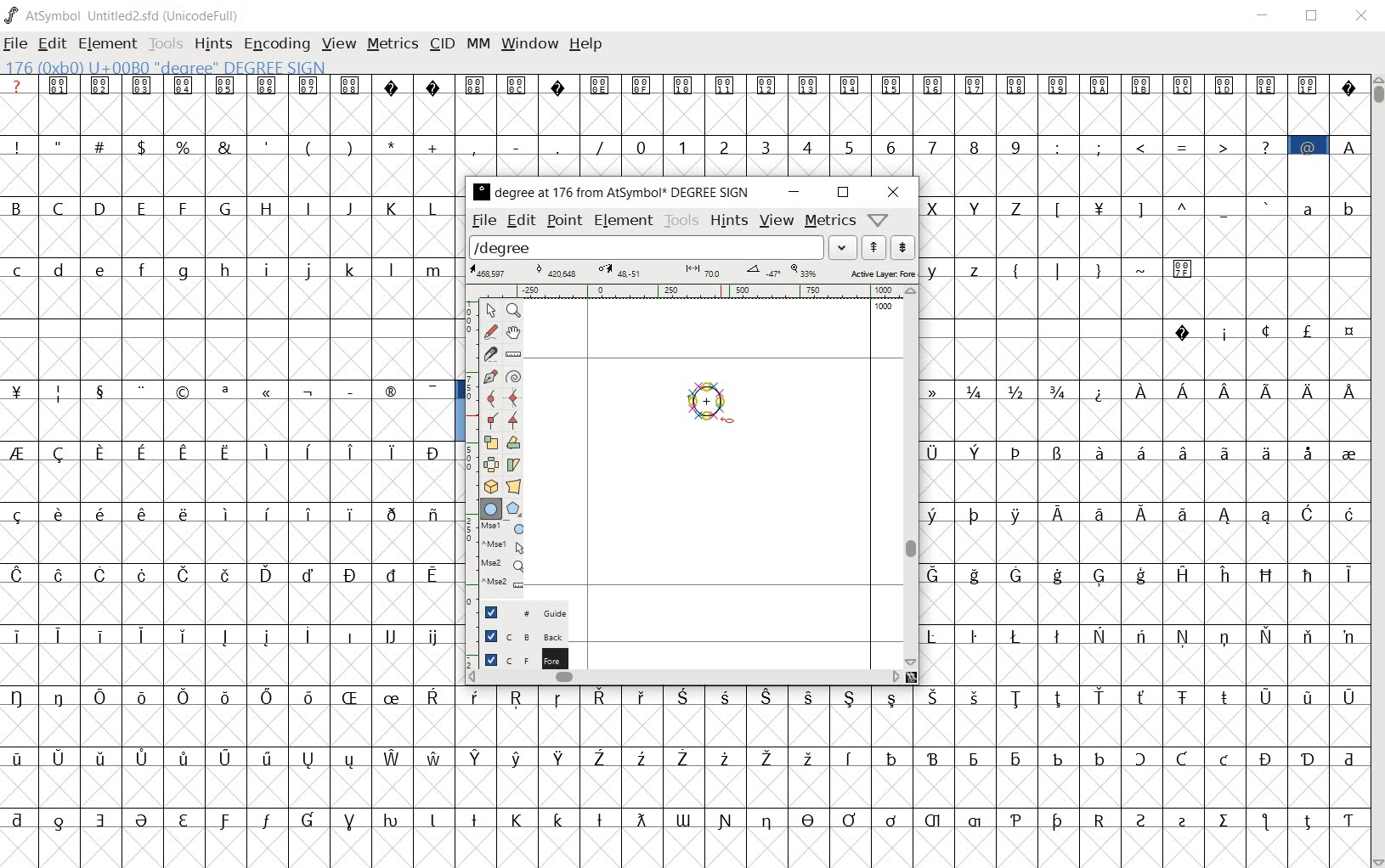 The width and height of the screenshot is (1385, 868). What do you see at coordinates (1104, 268) in the screenshot?
I see `symbols` at bounding box center [1104, 268].